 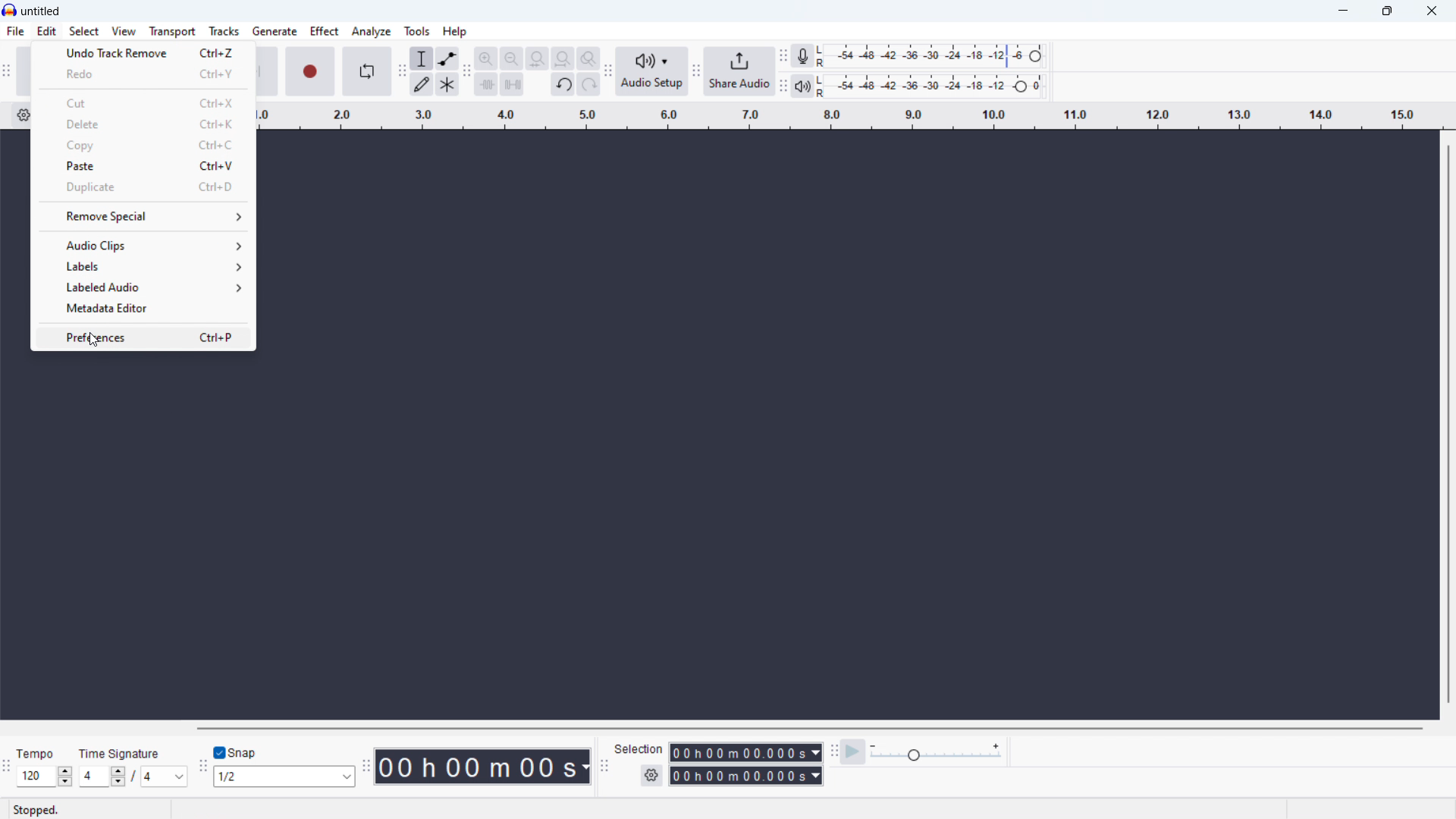 I want to click on snapping toolbar, so click(x=201, y=768).